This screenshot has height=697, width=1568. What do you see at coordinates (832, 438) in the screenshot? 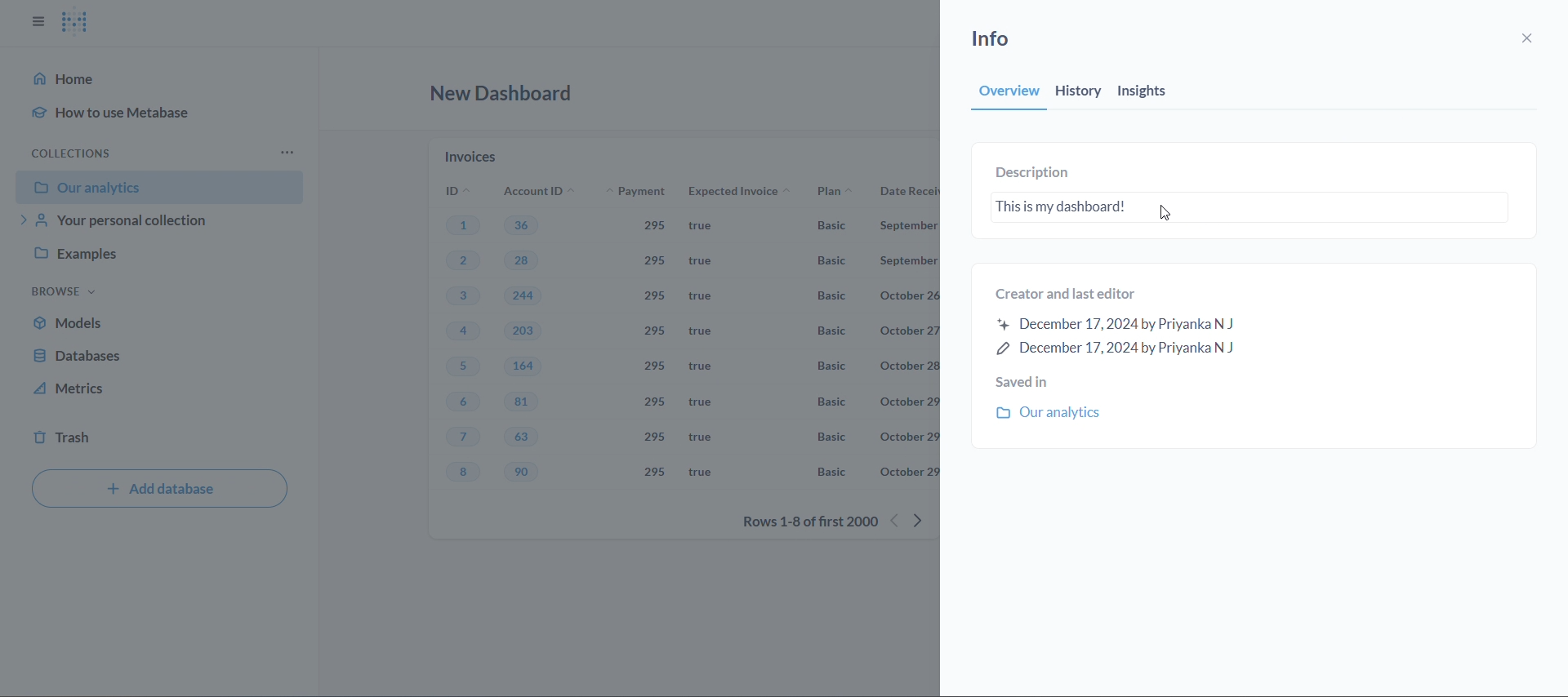
I see `Basic` at bounding box center [832, 438].